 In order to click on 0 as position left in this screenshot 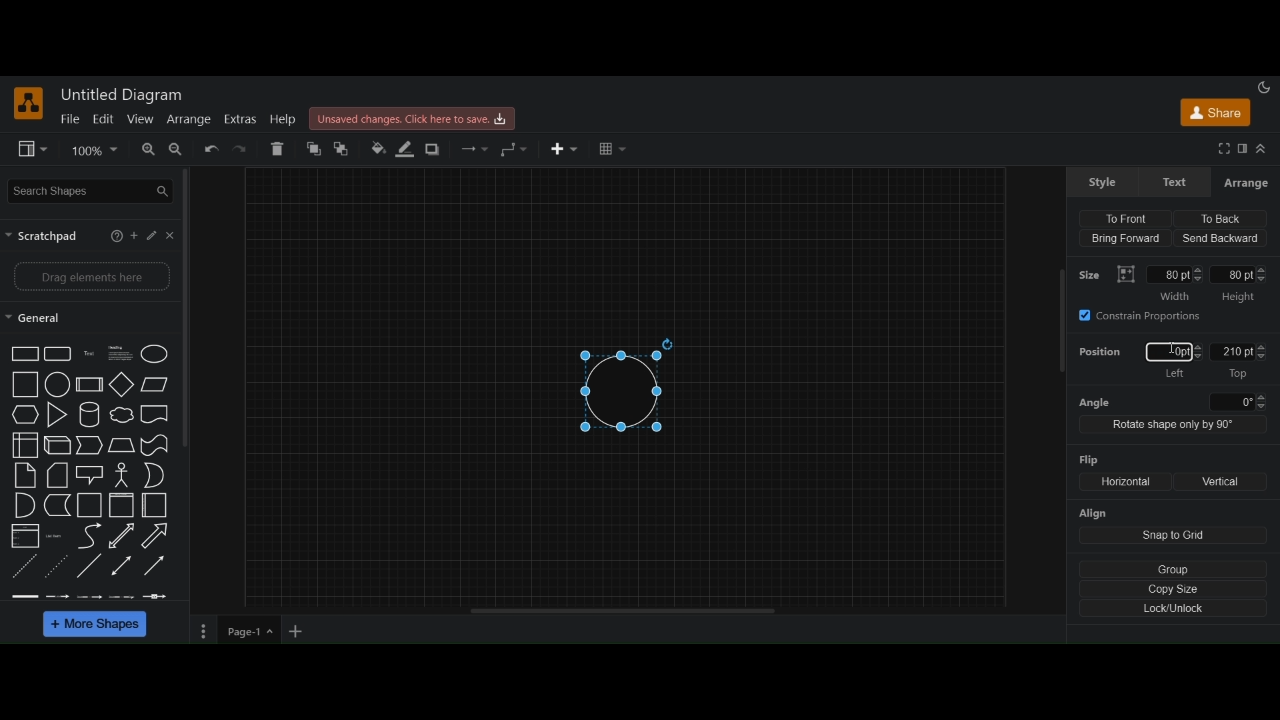, I will do `click(1175, 361)`.